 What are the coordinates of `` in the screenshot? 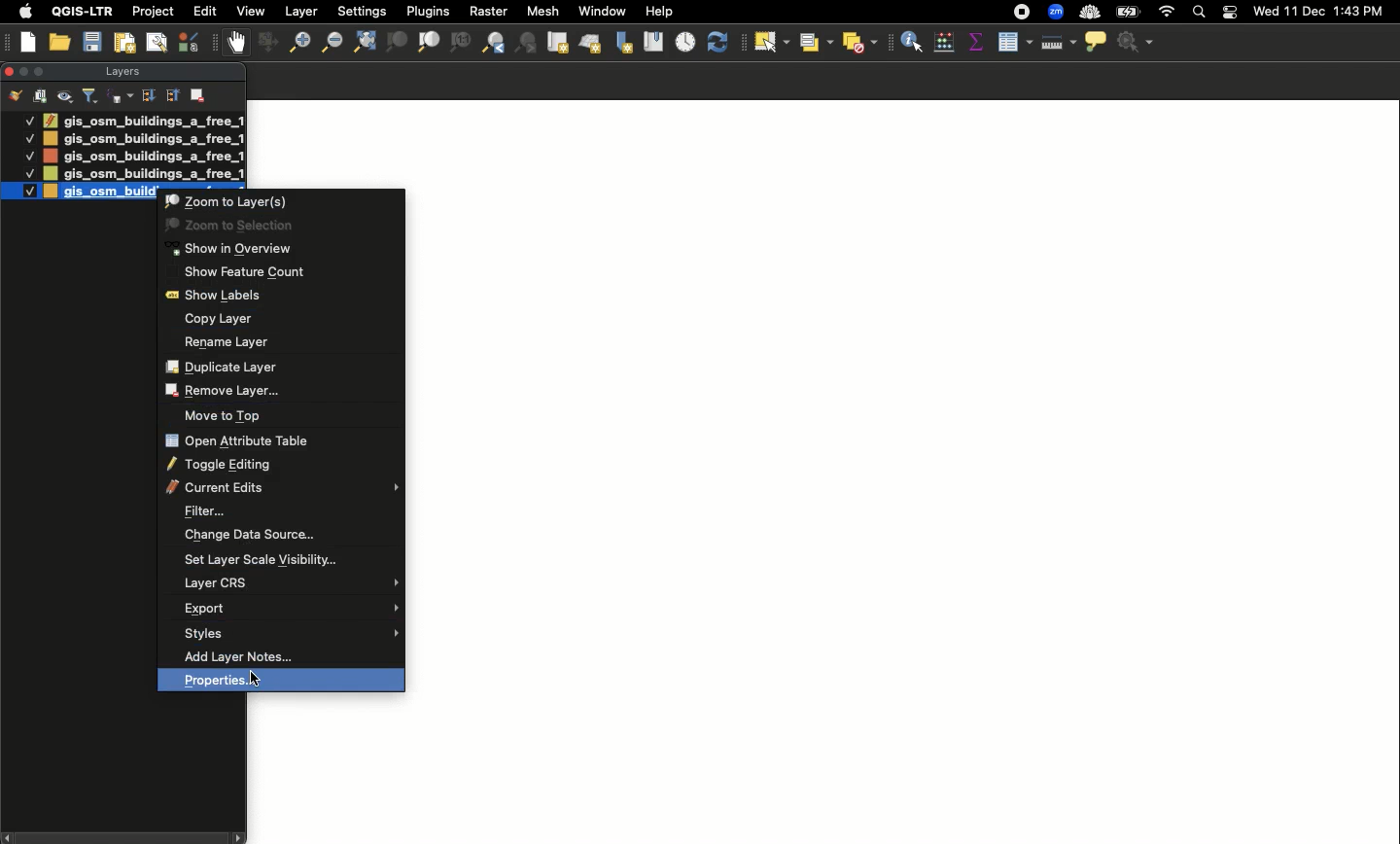 It's located at (9, 43).